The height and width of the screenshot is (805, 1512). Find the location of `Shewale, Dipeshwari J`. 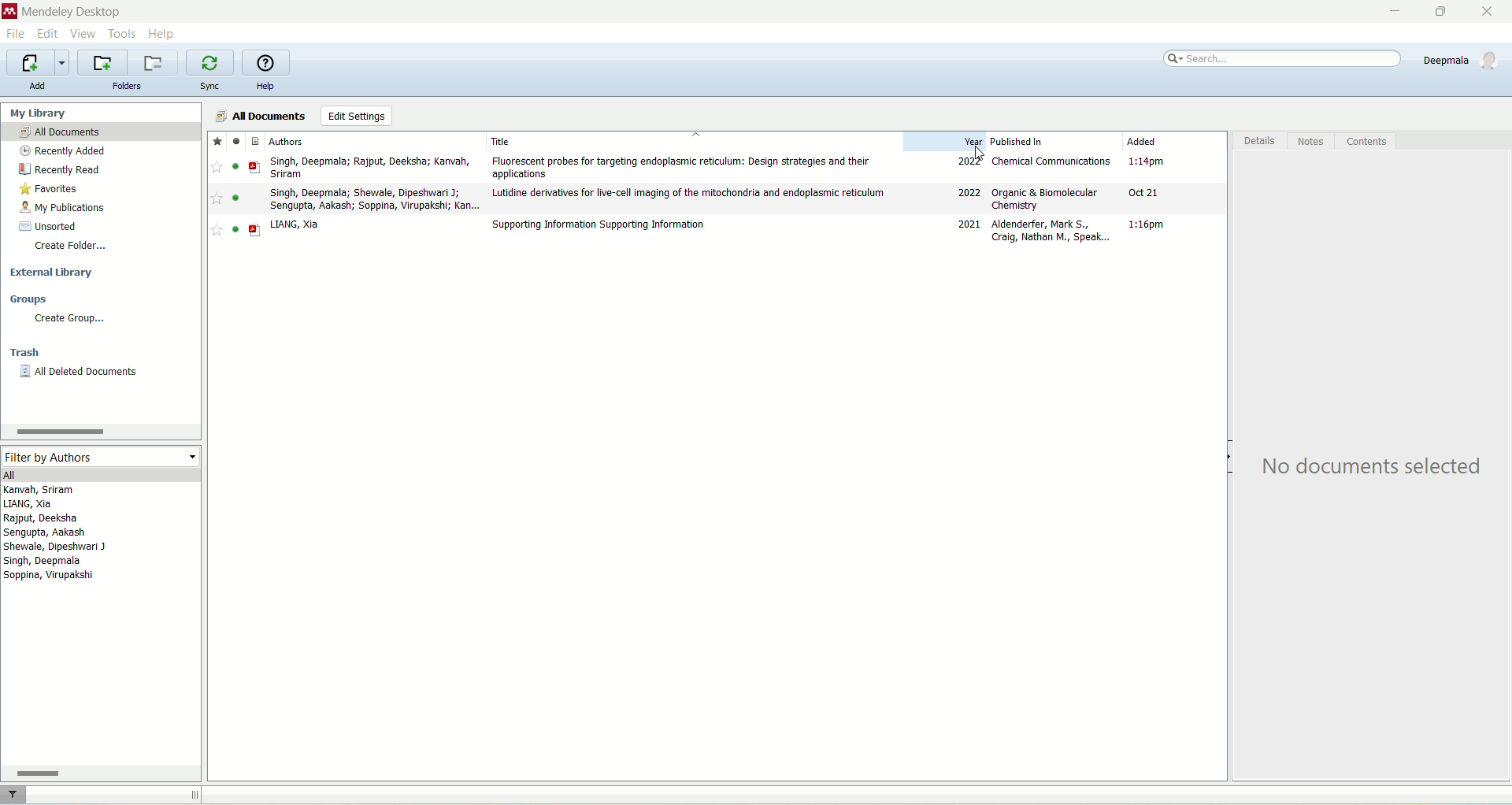

Shewale, Dipeshwari J is located at coordinates (54, 546).